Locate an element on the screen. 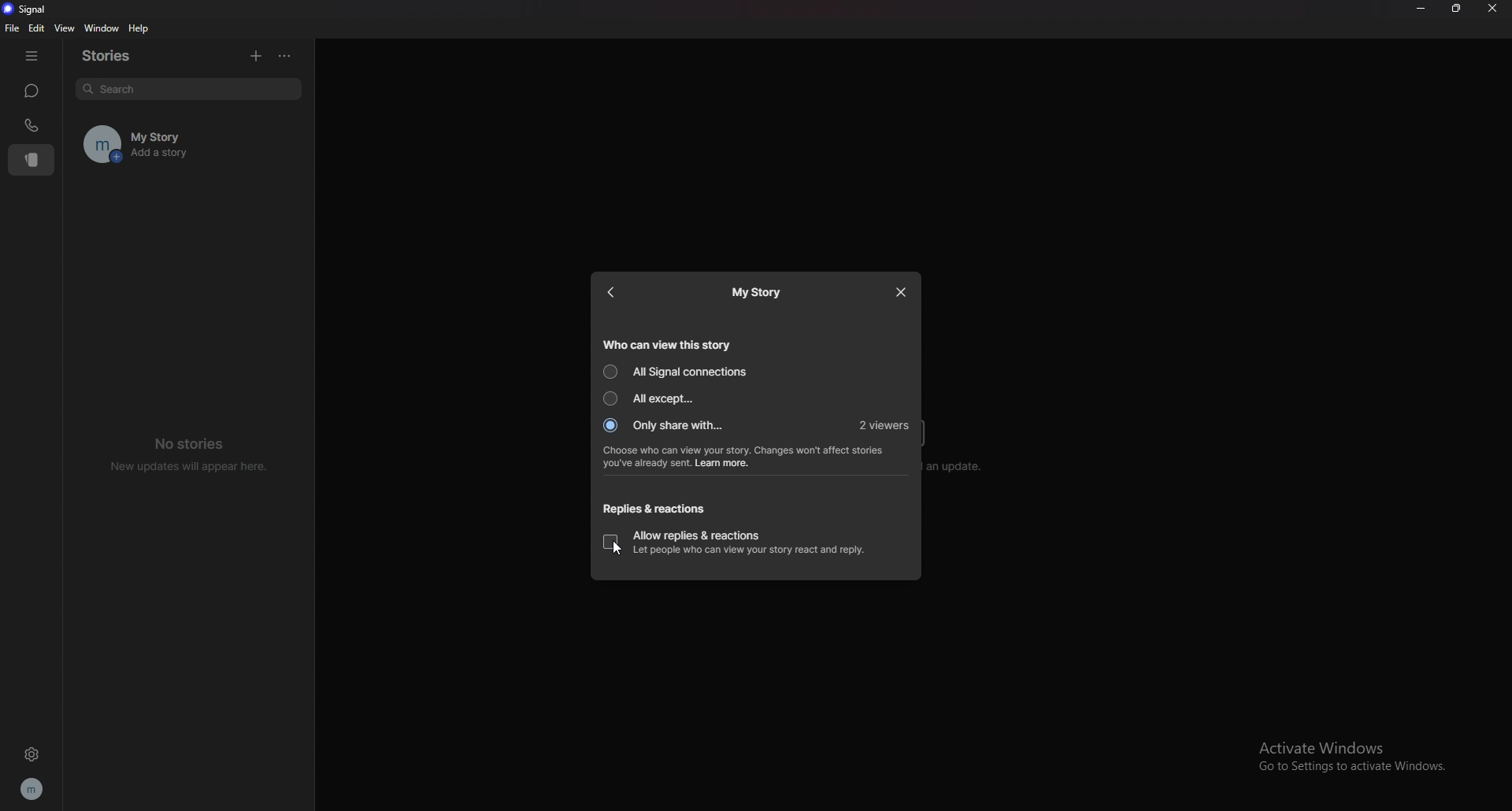 Image resolution: width=1512 pixels, height=811 pixels. Go to Settings to activate Windows. is located at coordinates (1358, 768).